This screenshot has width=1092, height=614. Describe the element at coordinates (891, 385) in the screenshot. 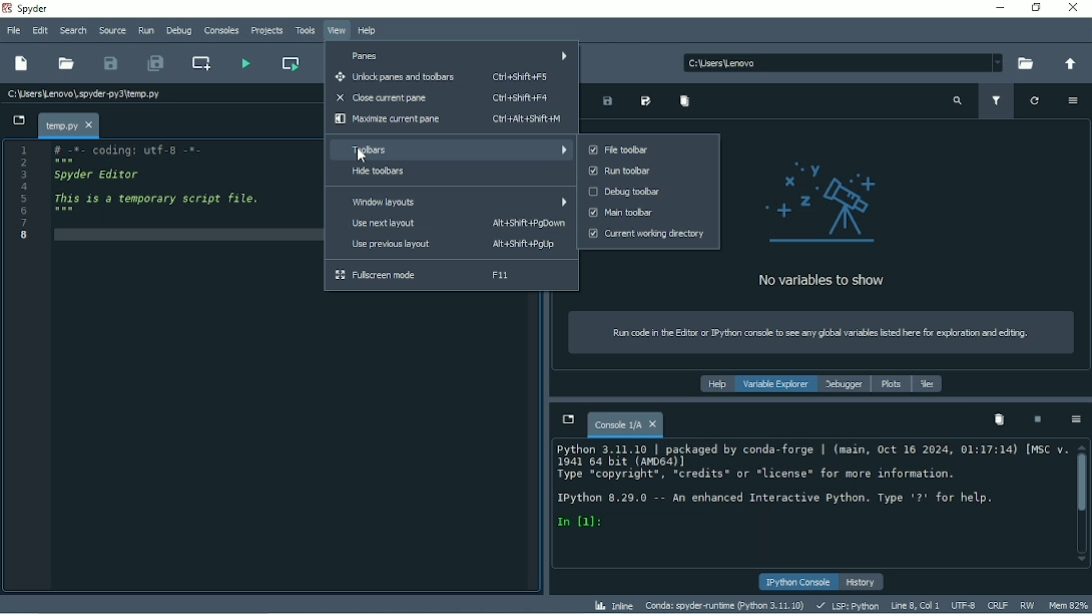

I see `Plots` at that location.